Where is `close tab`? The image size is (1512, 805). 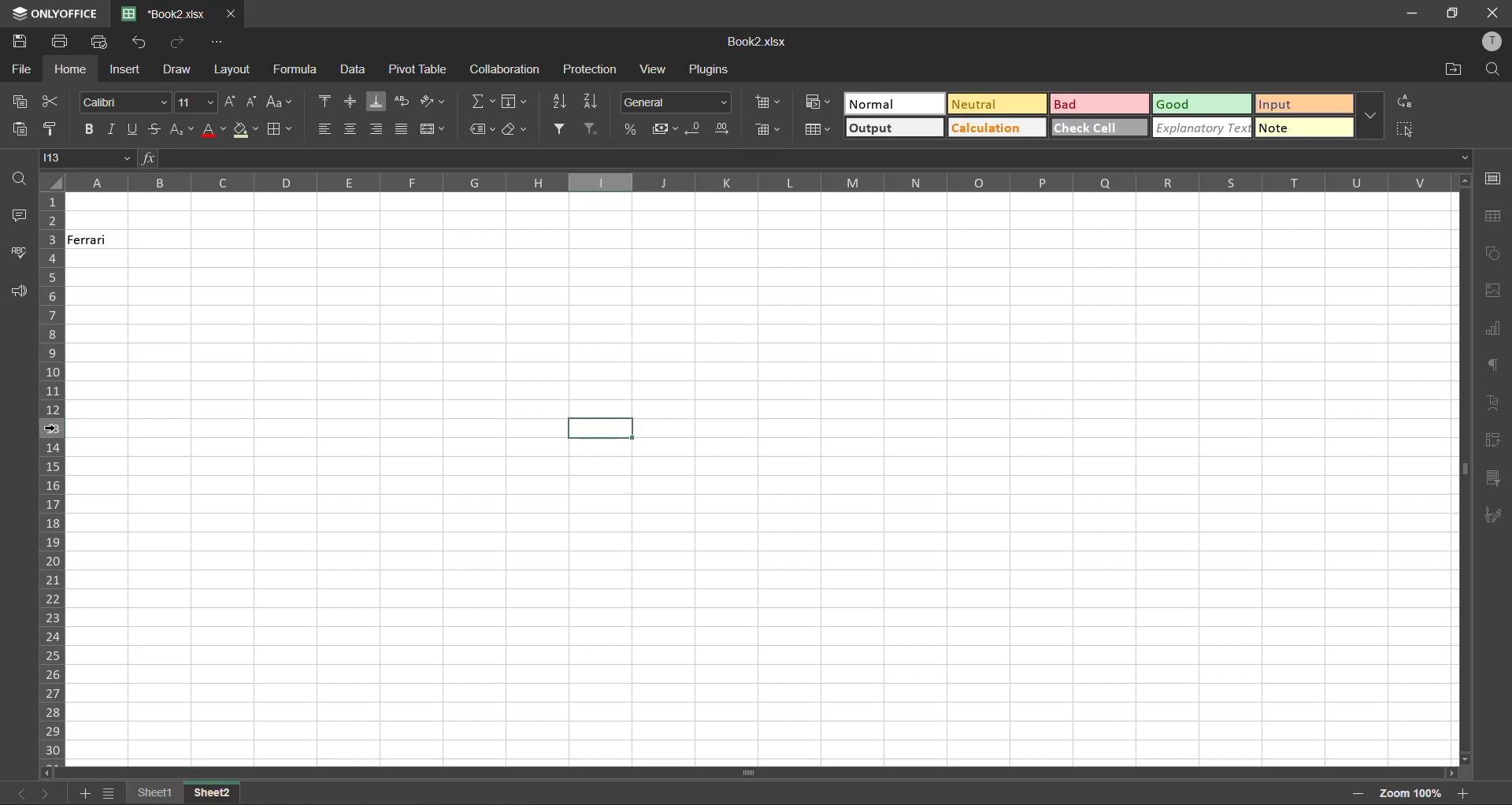
close tab is located at coordinates (235, 14).